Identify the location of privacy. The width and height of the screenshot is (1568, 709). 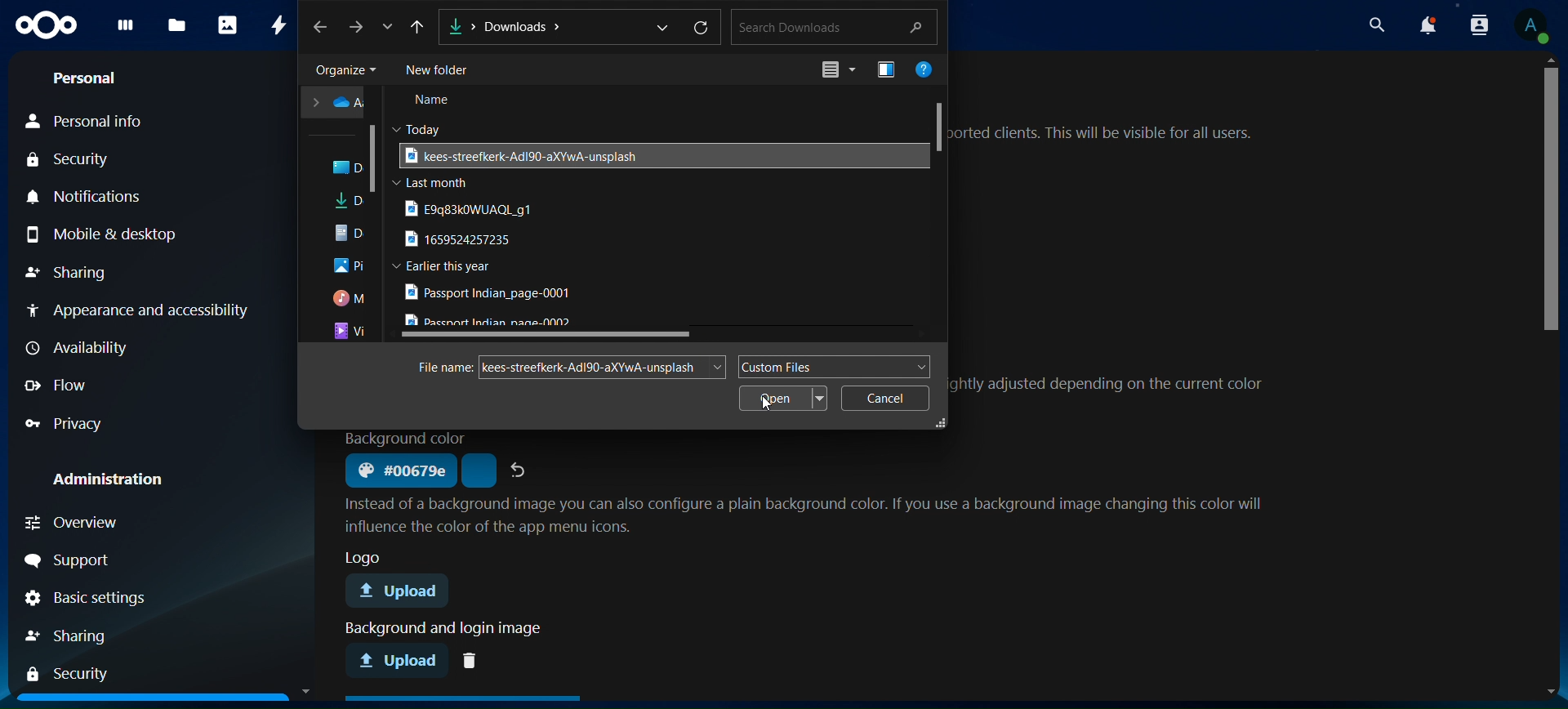
(69, 421).